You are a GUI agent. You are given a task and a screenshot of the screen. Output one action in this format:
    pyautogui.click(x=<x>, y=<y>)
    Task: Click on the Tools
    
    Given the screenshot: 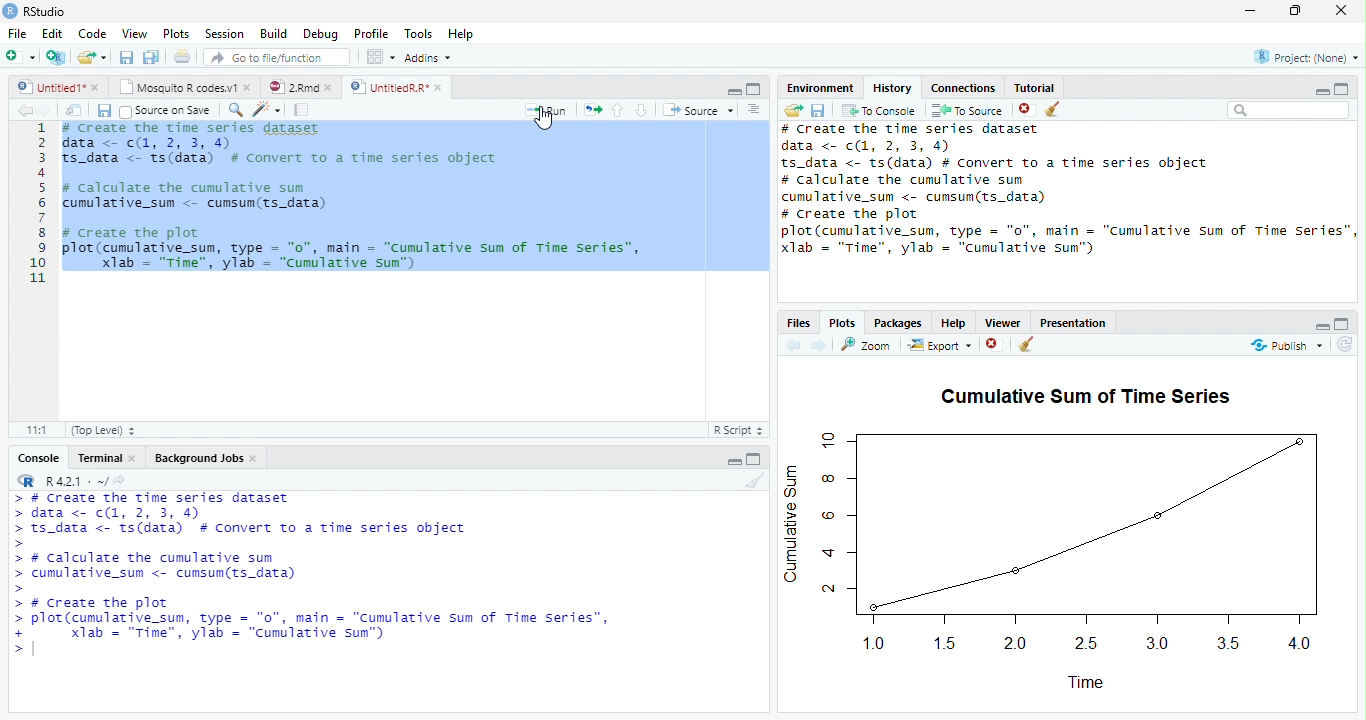 What is the action you would take?
    pyautogui.click(x=418, y=35)
    